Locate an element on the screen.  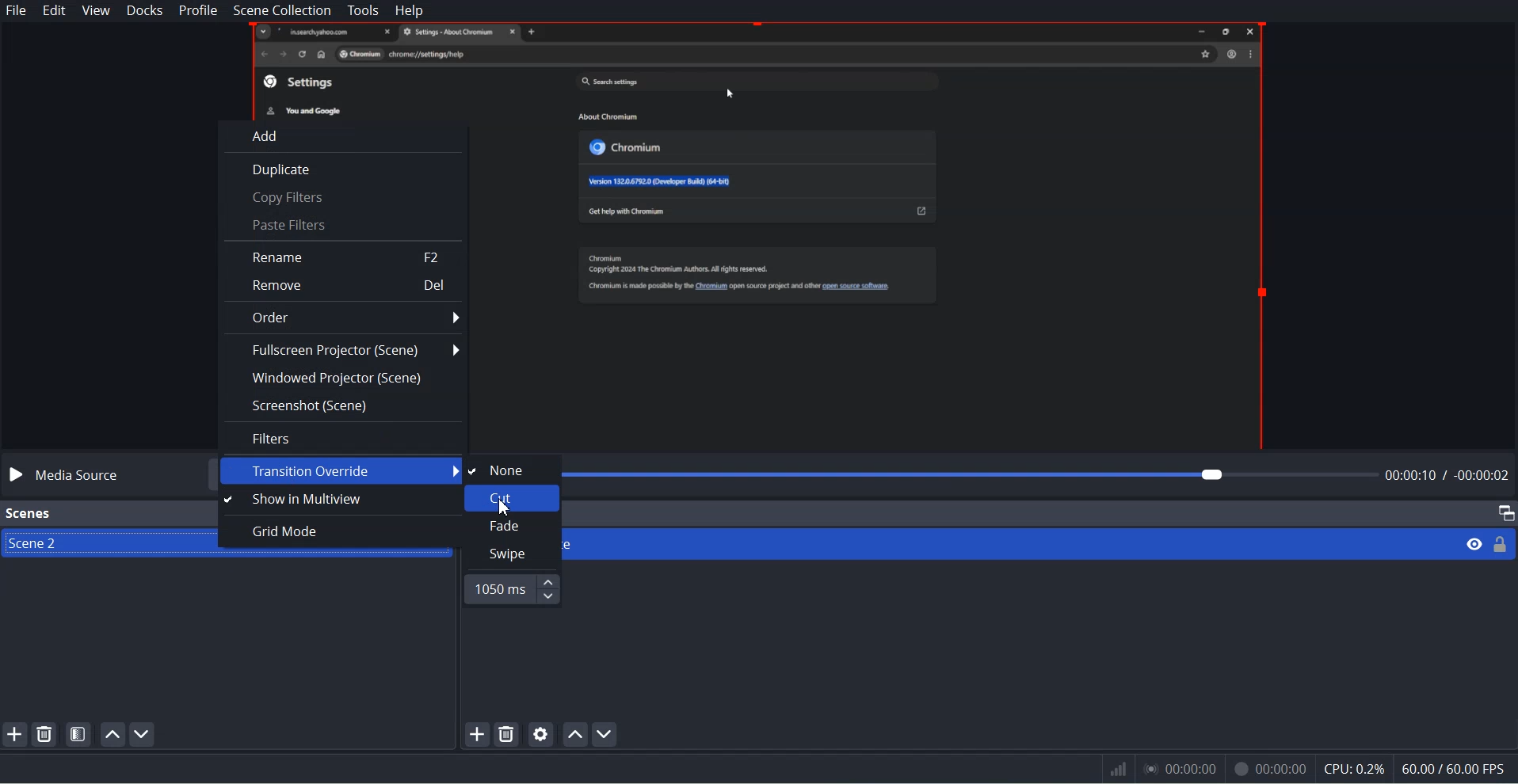
Rename is located at coordinates (344, 256).